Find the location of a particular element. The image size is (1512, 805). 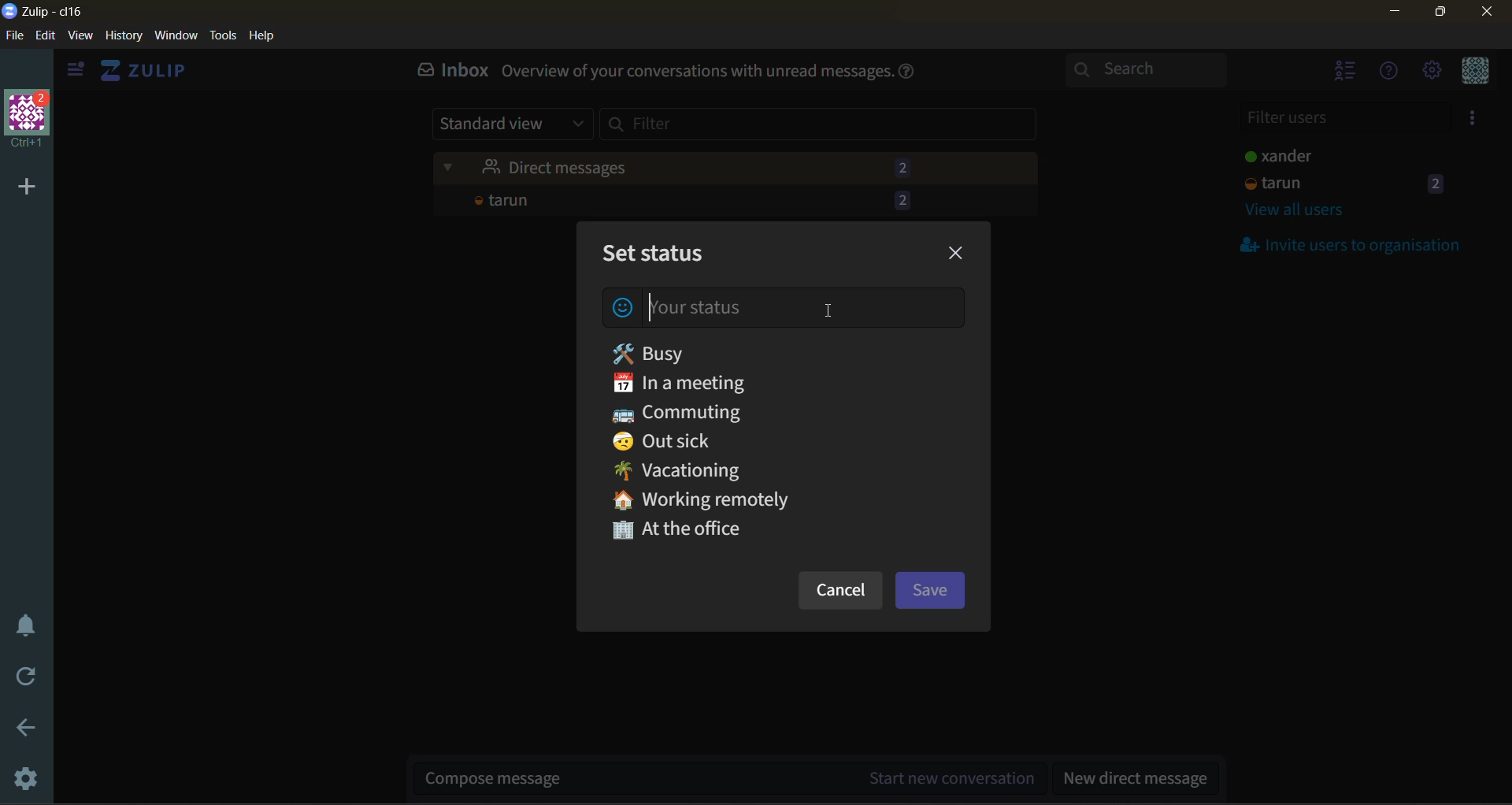

cursor is located at coordinates (832, 313).